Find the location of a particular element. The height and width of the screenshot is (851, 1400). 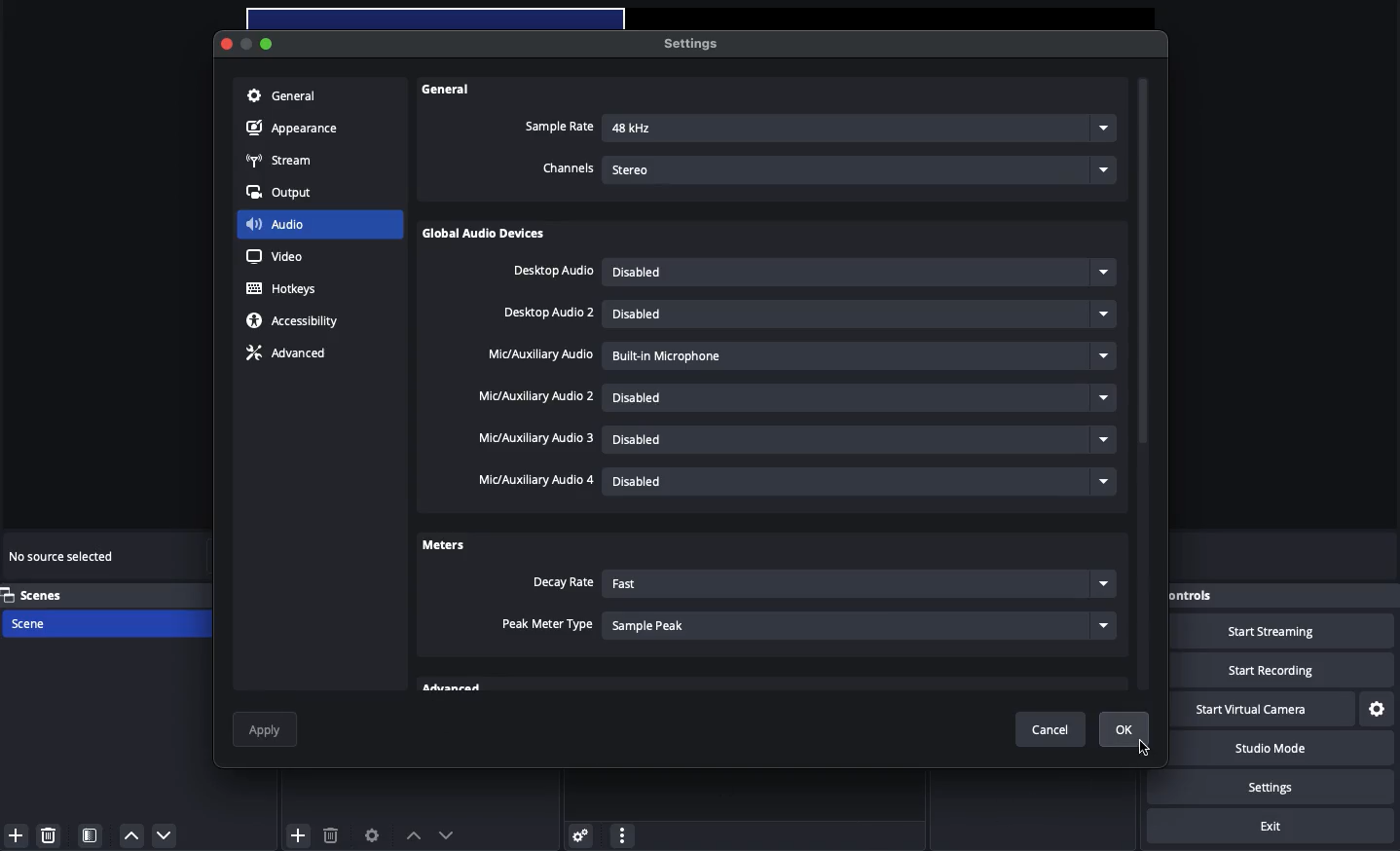

Mic aux auto 4 is located at coordinates (534, 480).